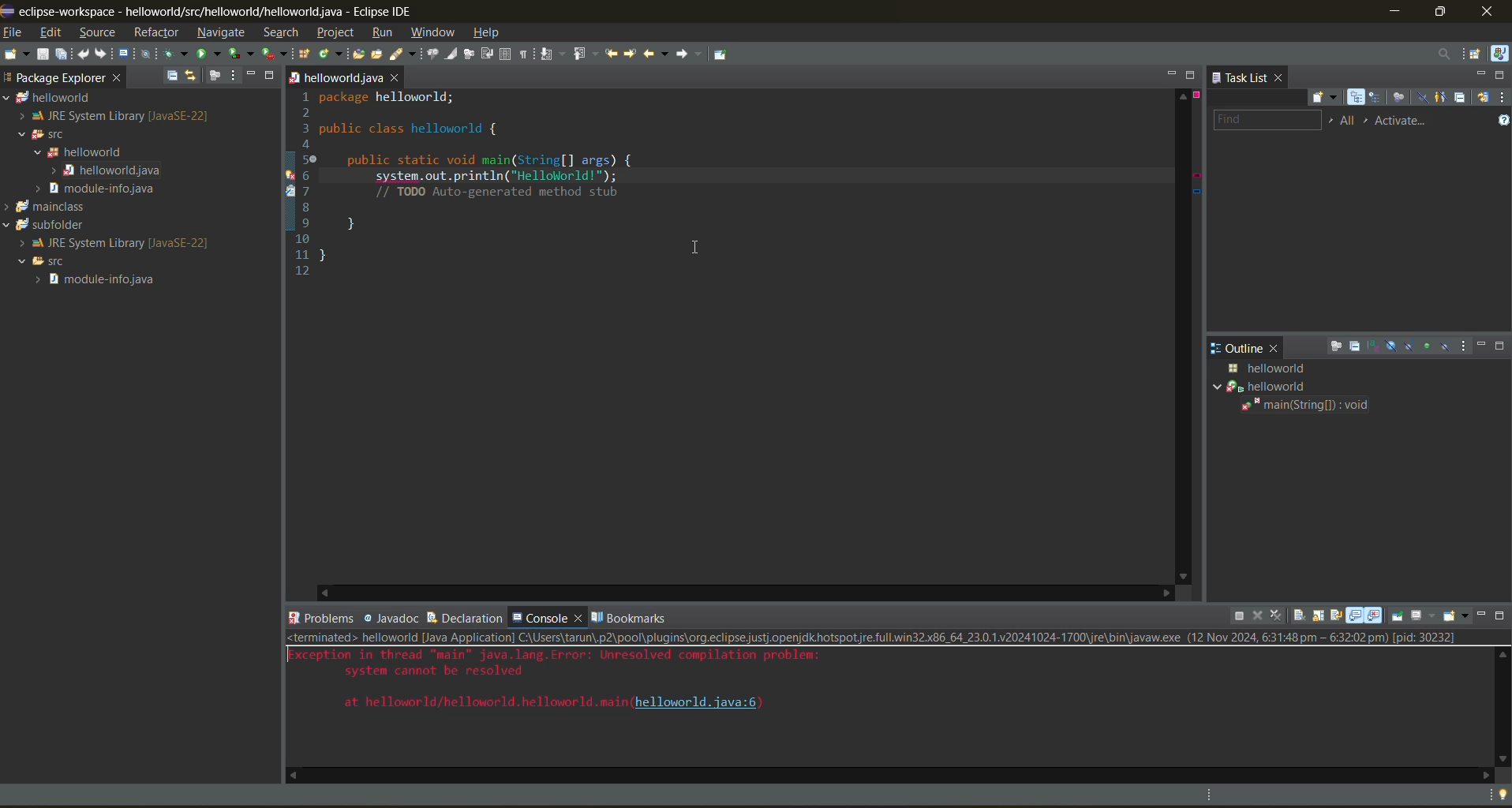  What do you see at coordinates (1481, 73) in the screenshot?
I see `minimize` at bounding box center [1481, 73].